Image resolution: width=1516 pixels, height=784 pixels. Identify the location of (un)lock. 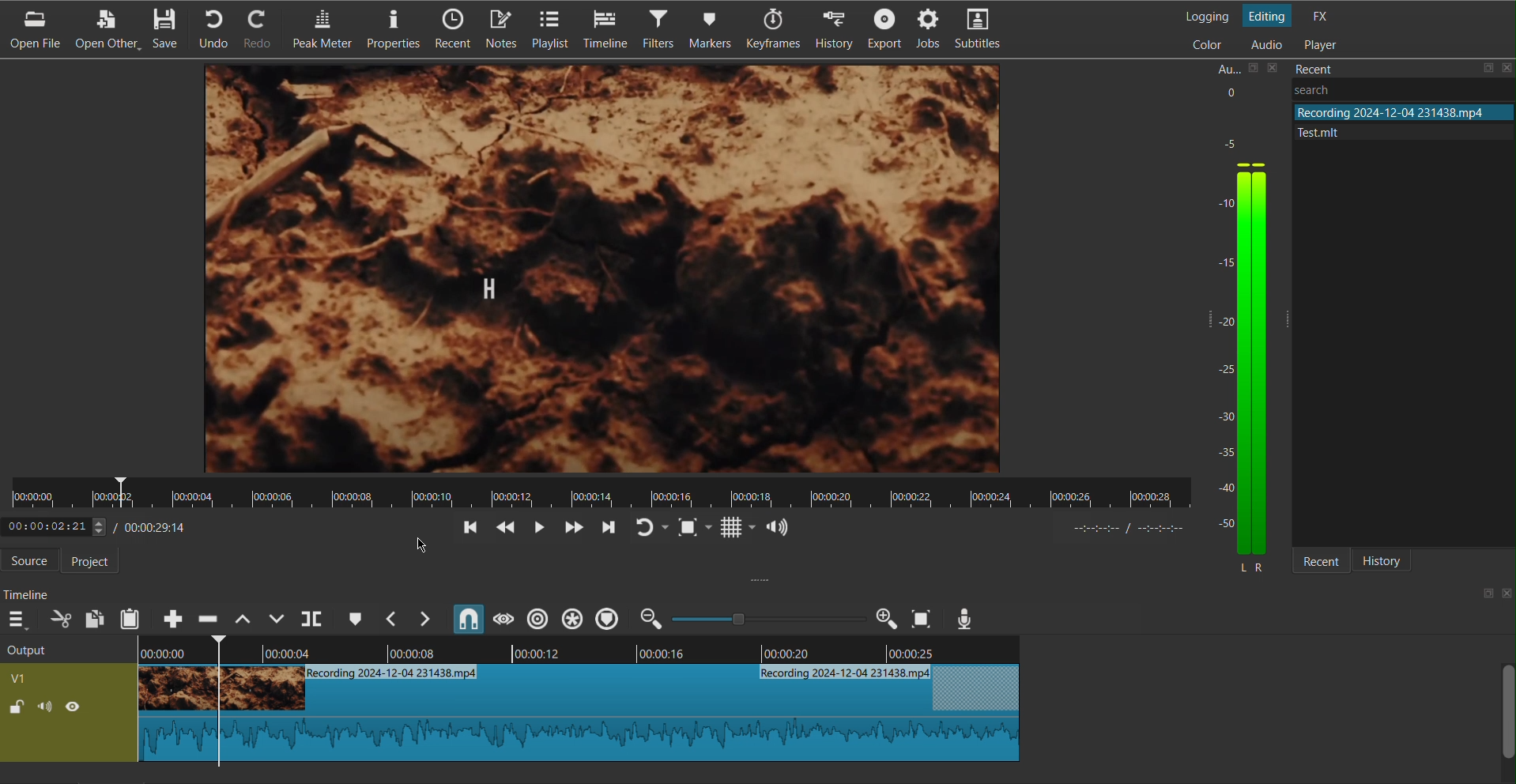
(15, 707).